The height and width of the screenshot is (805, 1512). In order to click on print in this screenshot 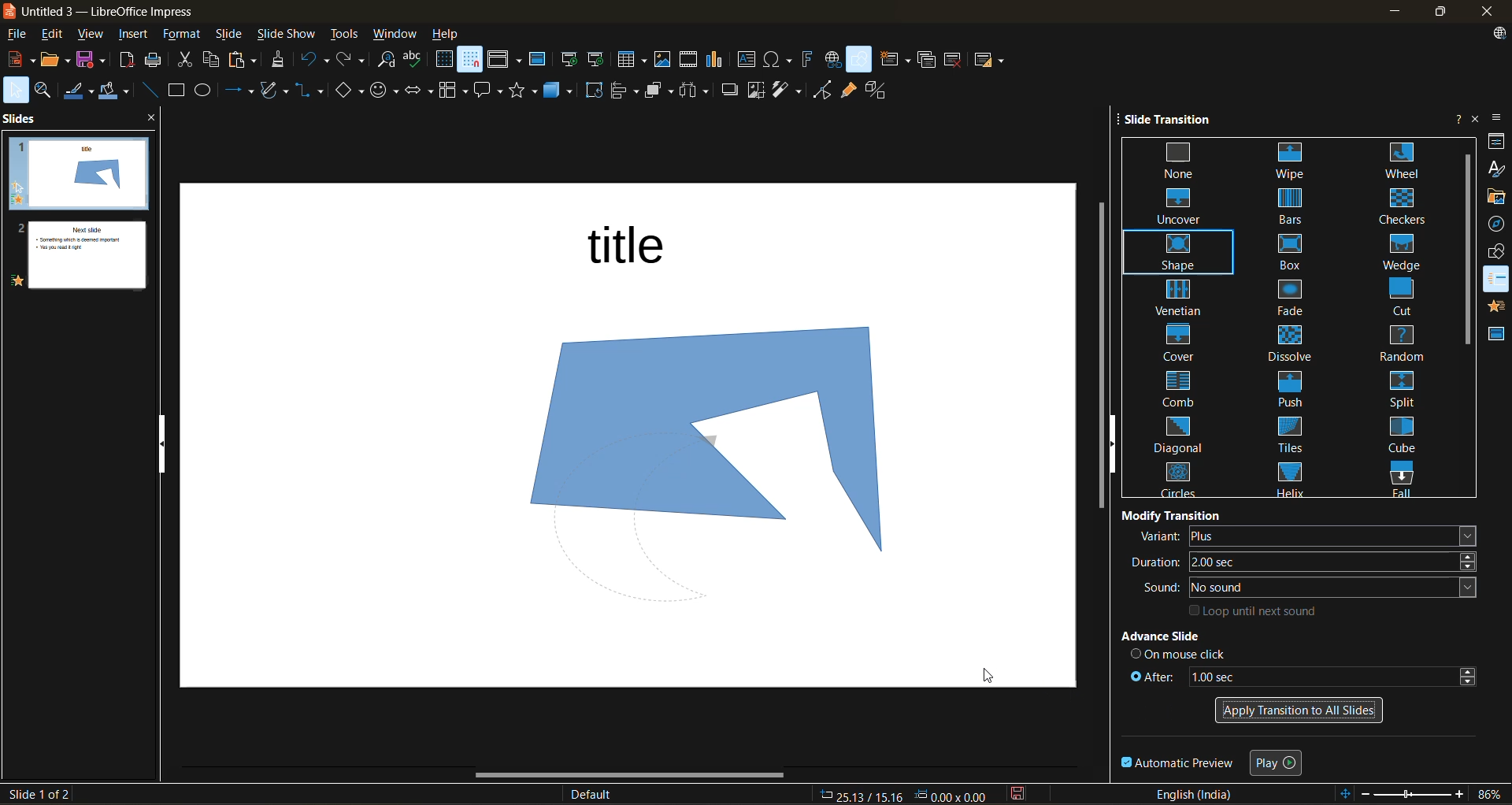, I will do `click(156, 61)`.